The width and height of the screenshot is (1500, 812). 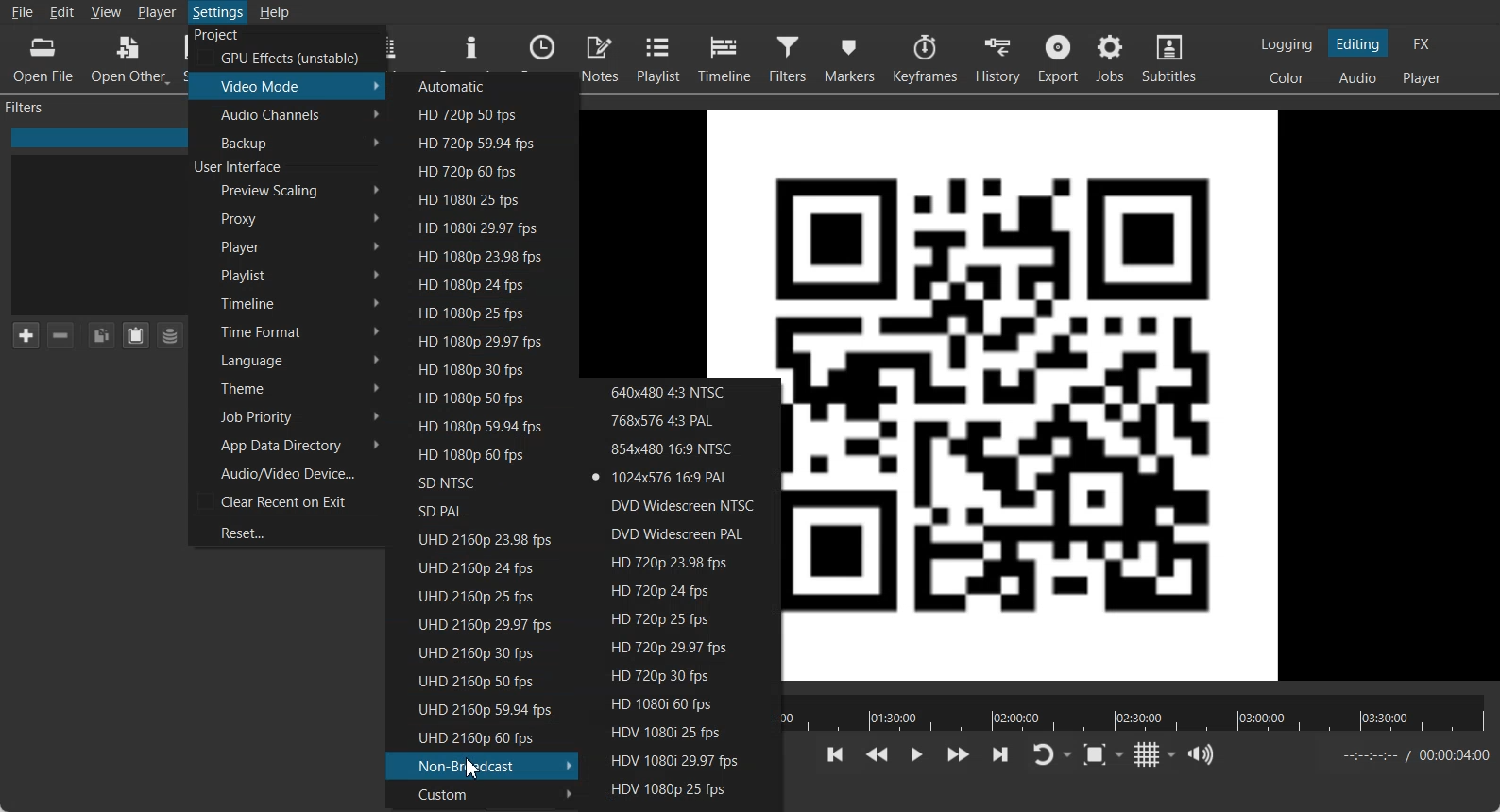 I want to click on Toggle paly or pause, so click(x=915, y=755).